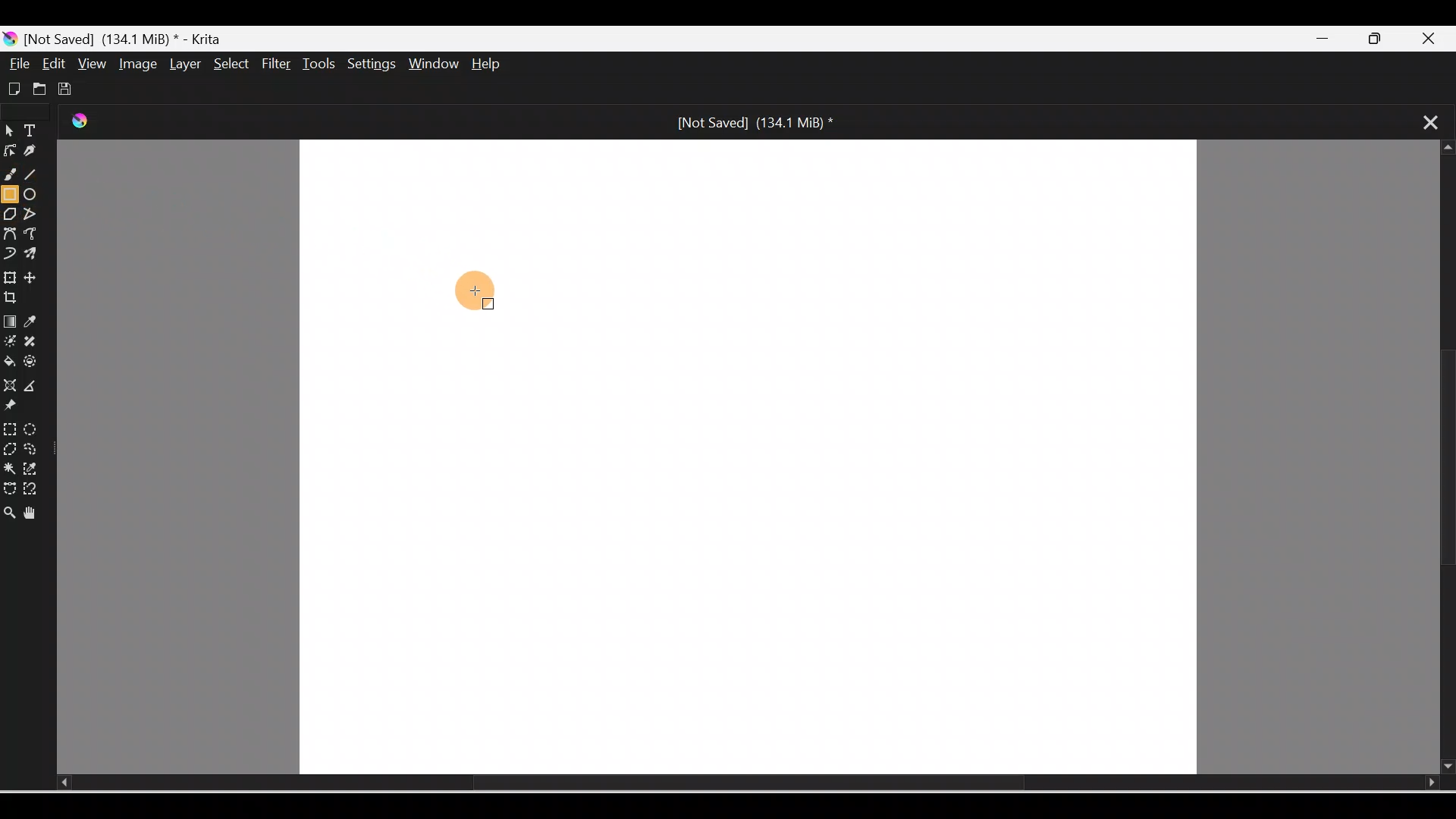 The width and height of the screenshot is (1456, 819). I want to click on Transform a layer/selection, so click(10, 275).